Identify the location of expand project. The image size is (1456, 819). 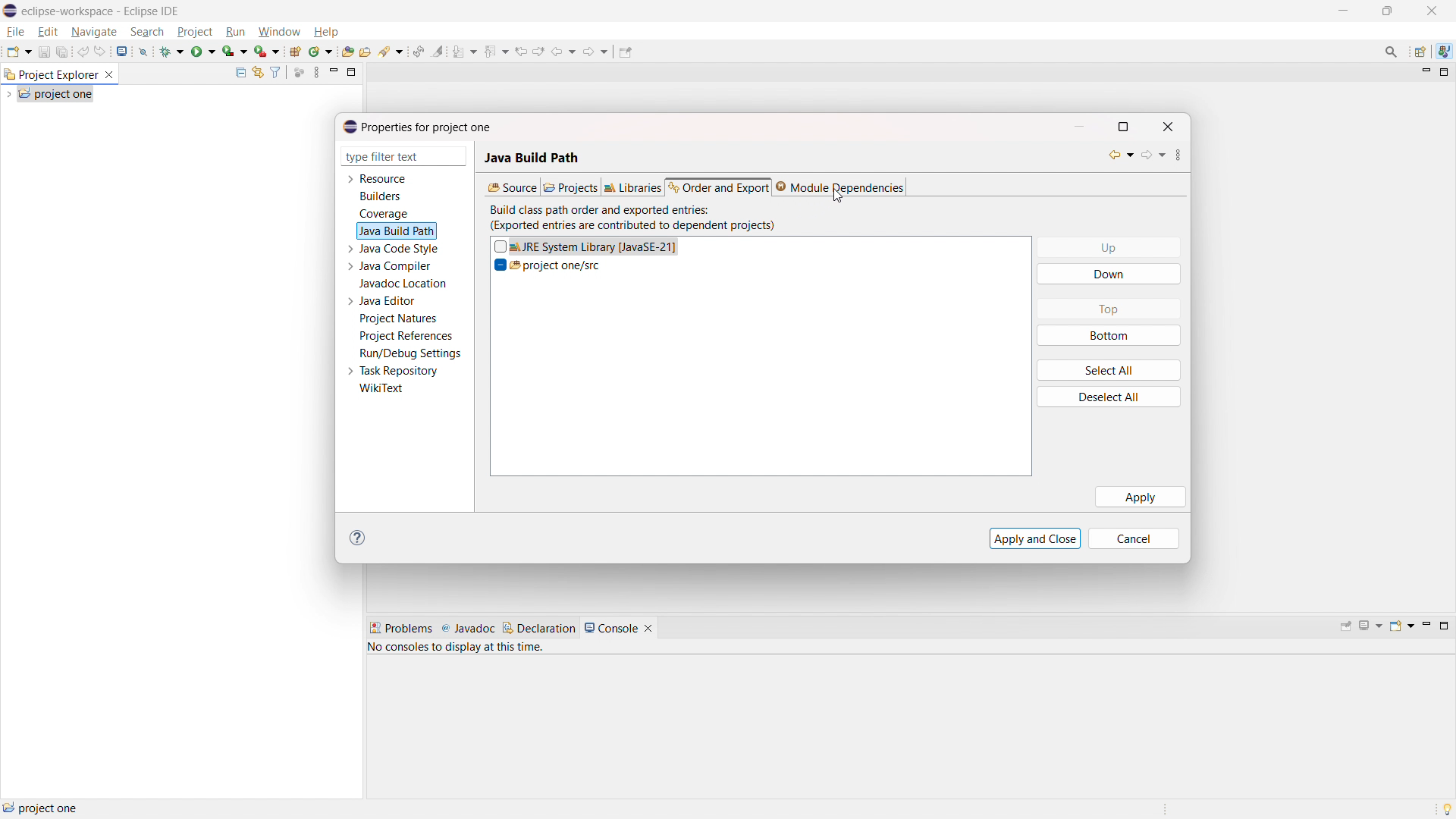
(9, 94).